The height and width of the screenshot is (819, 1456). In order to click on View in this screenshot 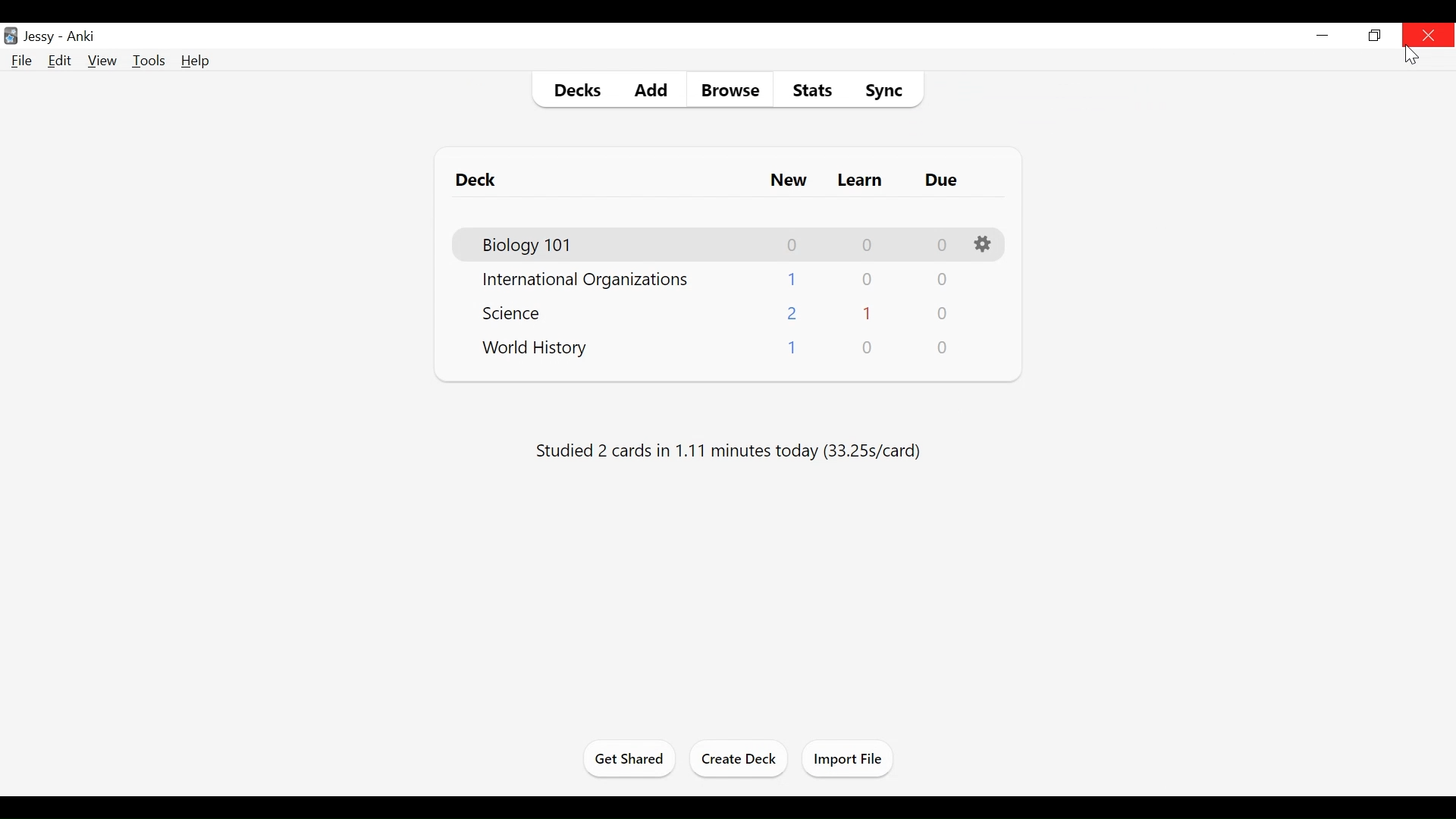, I will do `click(102, 60)`.